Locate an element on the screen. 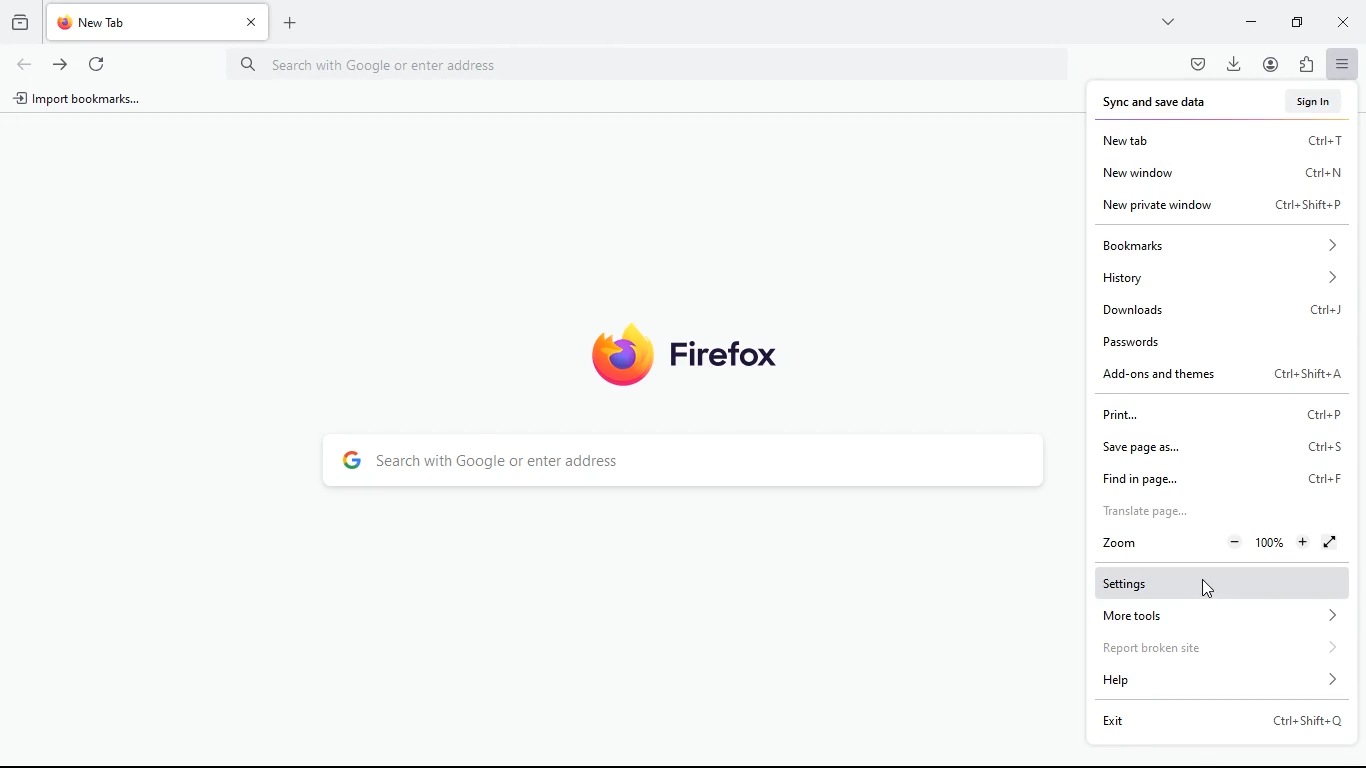 The width and height of the screenshot is (1366, 768). help is located at coordinates (1229, 680).